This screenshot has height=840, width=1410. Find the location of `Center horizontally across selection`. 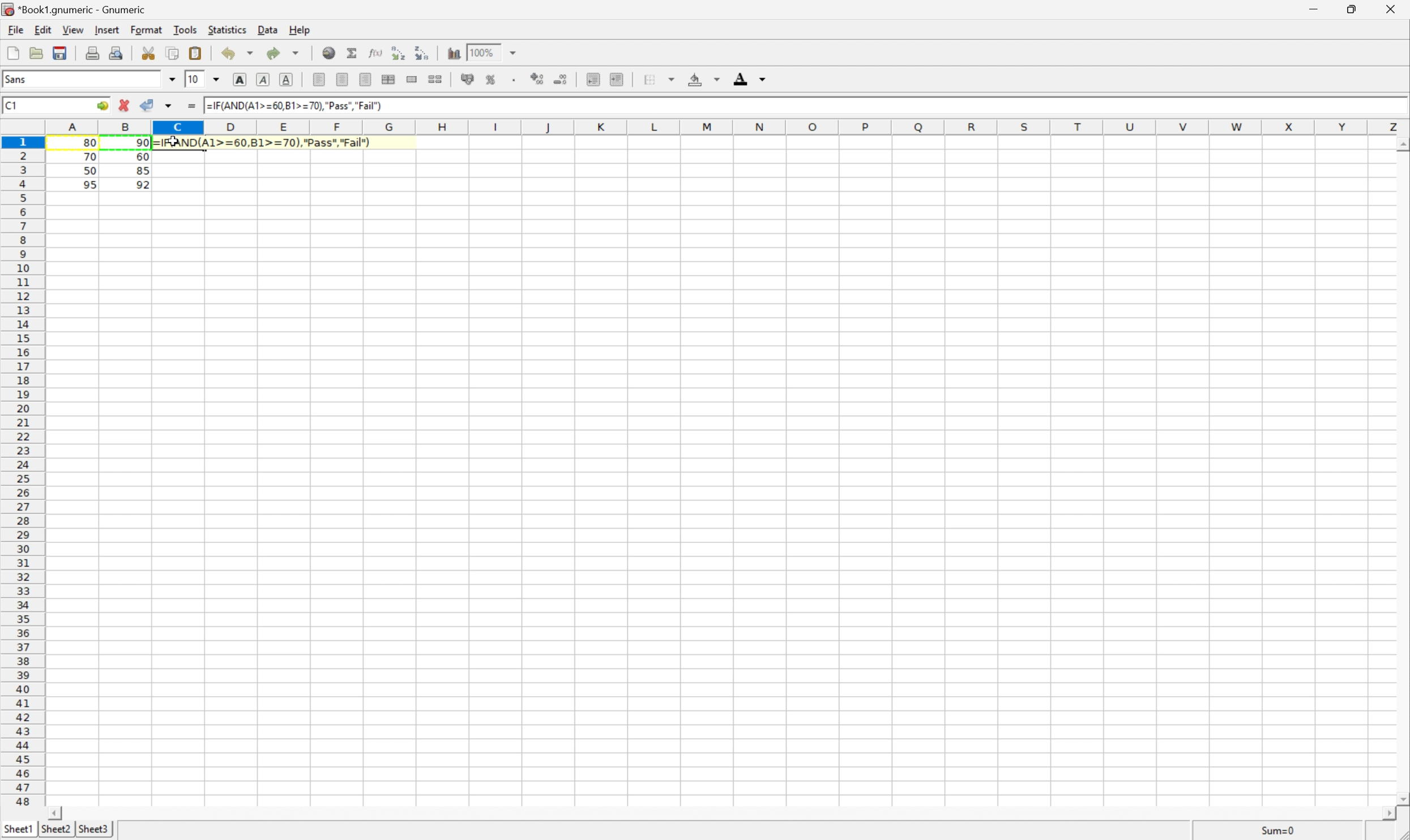

Center horizontally across selection is located at coordinates (391, 78).